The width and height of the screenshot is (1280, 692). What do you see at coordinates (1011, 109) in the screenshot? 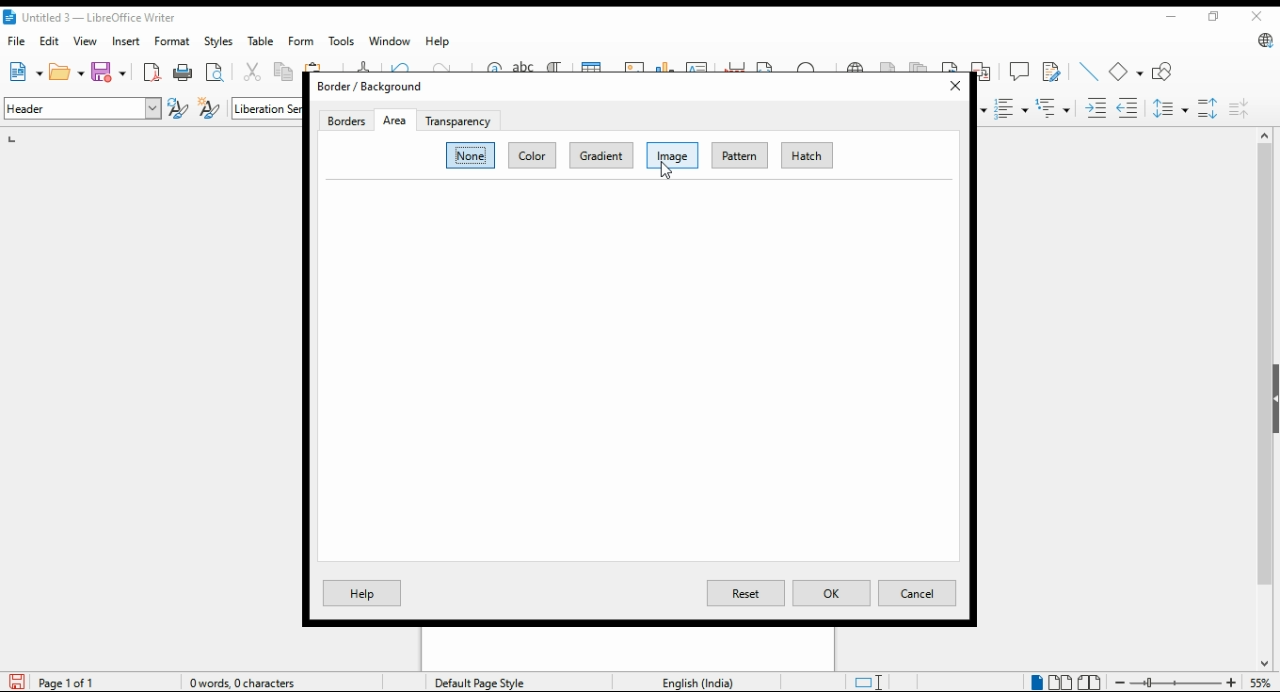
I see `toggle ordered list` at bounding box center [1011, 109].